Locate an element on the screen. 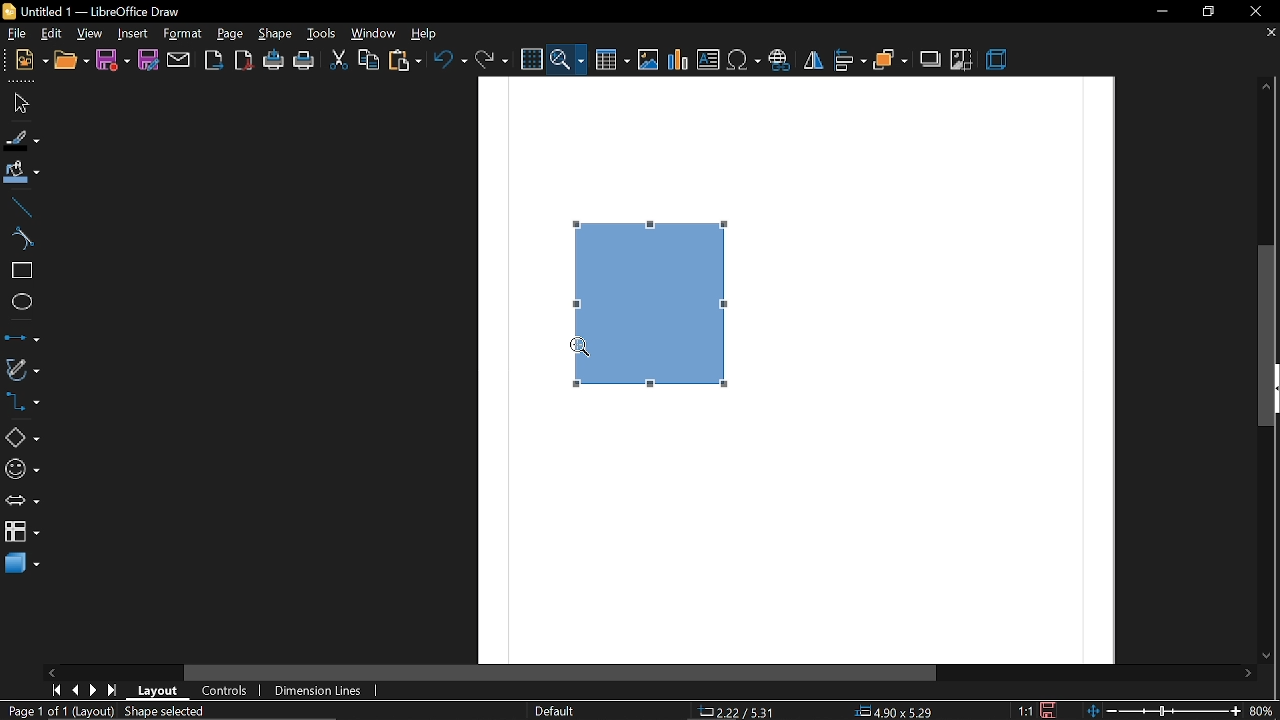 The image size is (1280, 720). change zoom is located at coordinates (1163, 712).